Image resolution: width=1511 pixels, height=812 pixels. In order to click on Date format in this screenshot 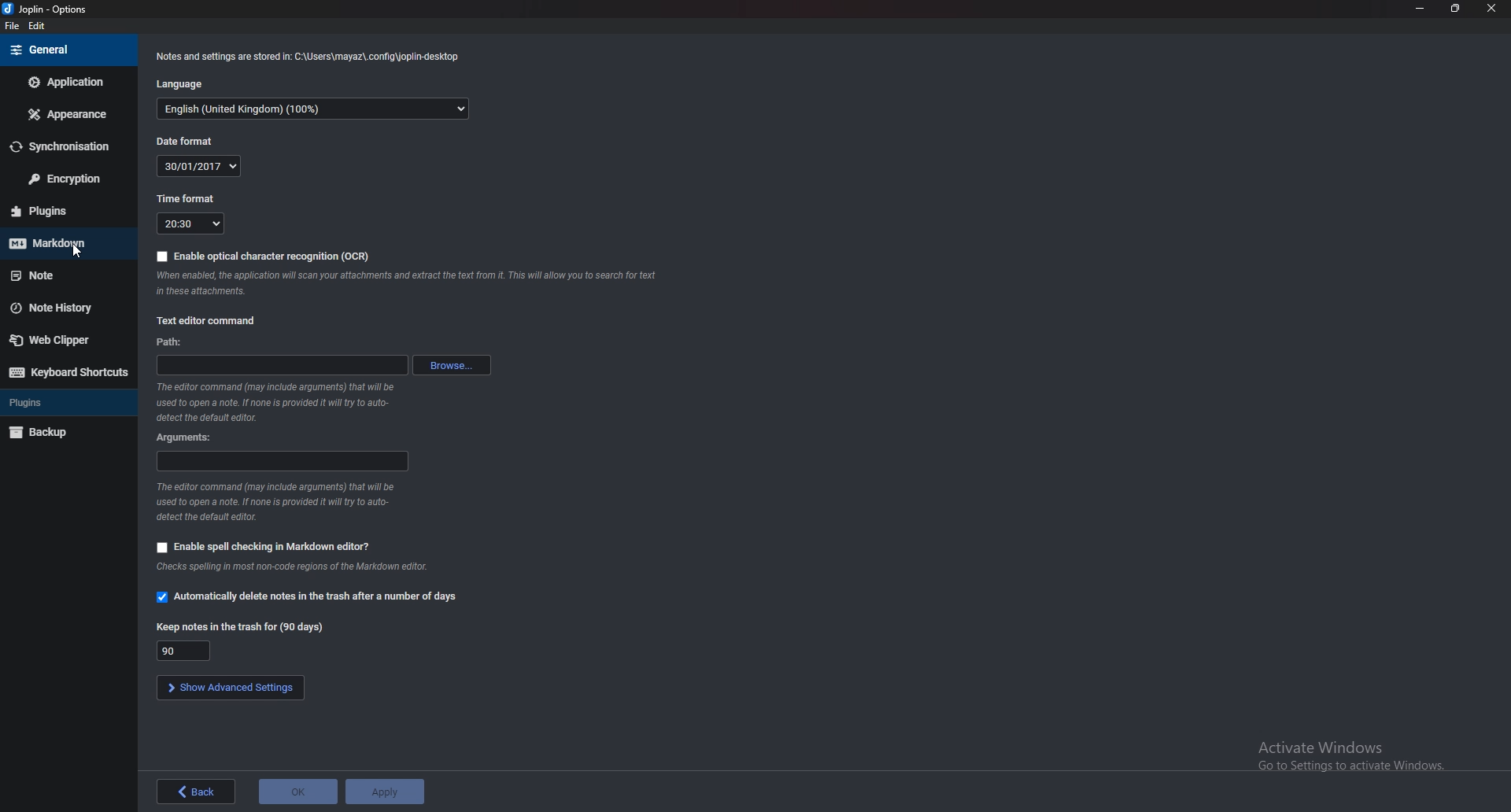, I will do `click(187, 142)`.